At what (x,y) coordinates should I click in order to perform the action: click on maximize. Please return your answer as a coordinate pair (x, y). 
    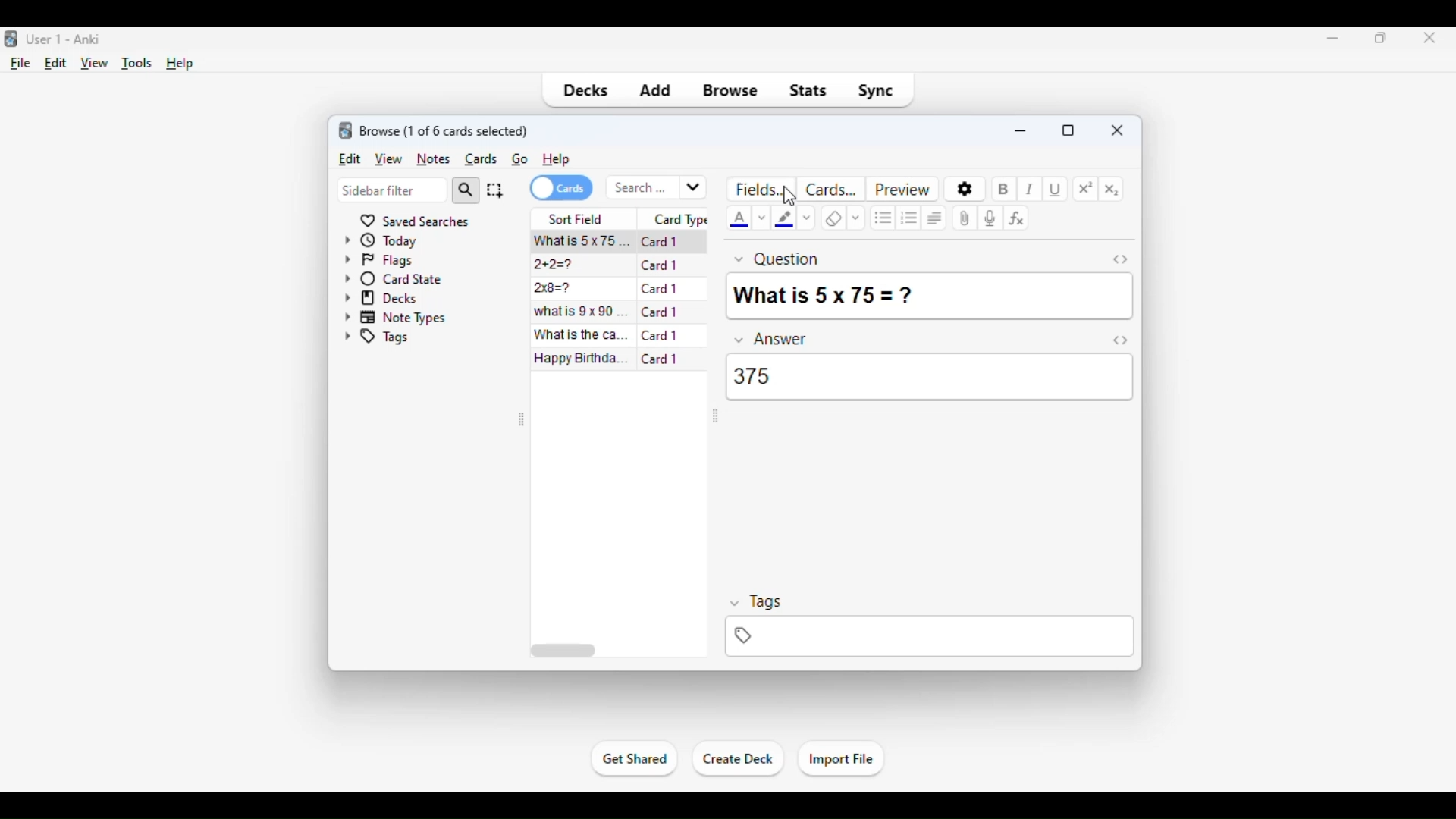
    Looking at the image, I should click on (1382, 37).